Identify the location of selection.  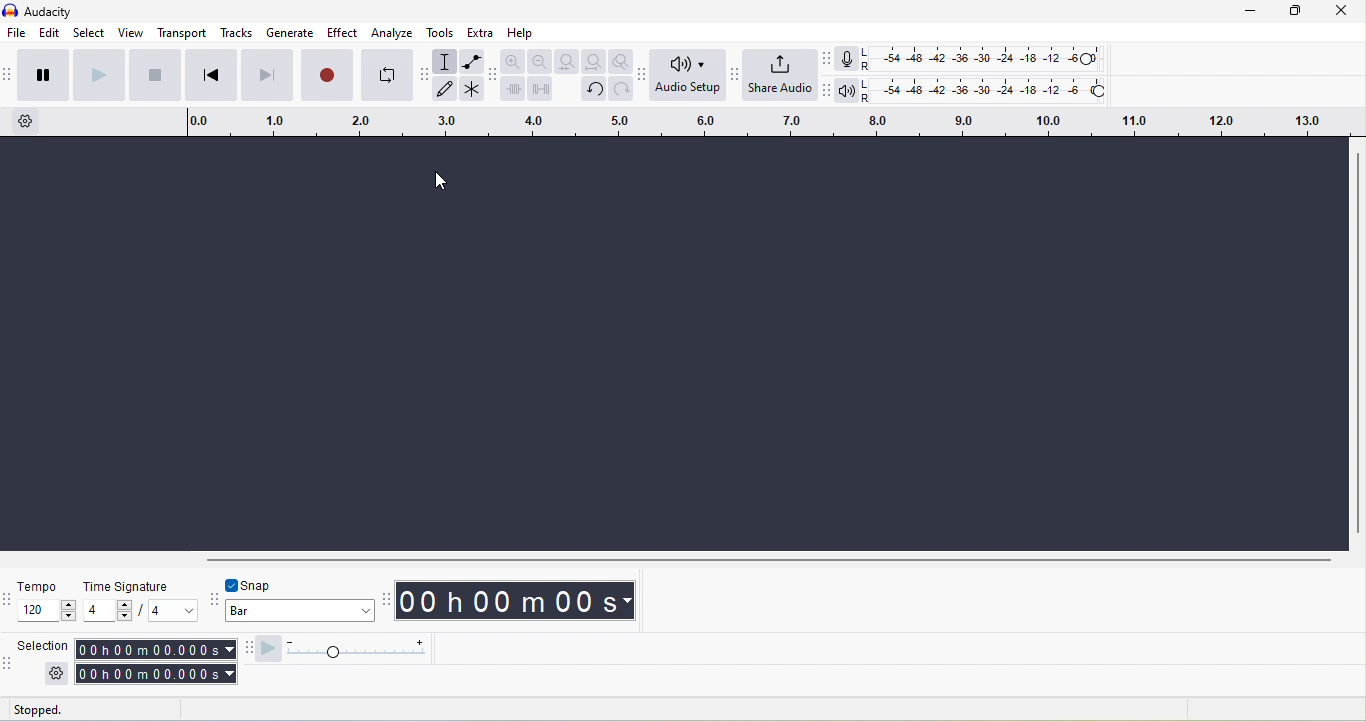
(46, 661).